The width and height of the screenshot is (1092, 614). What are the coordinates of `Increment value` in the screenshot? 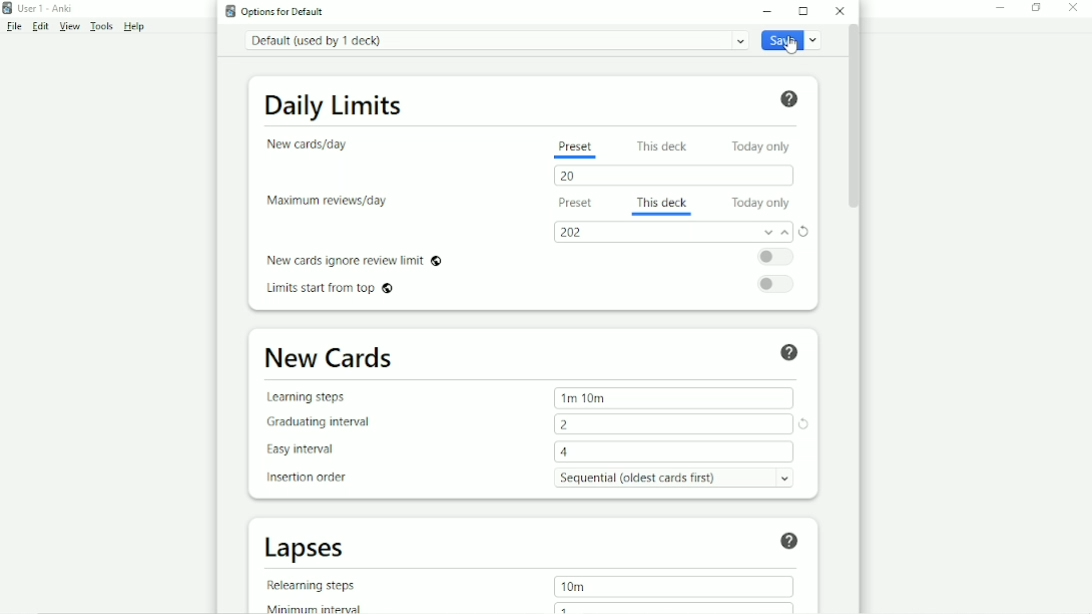 It's located at (786, 235).